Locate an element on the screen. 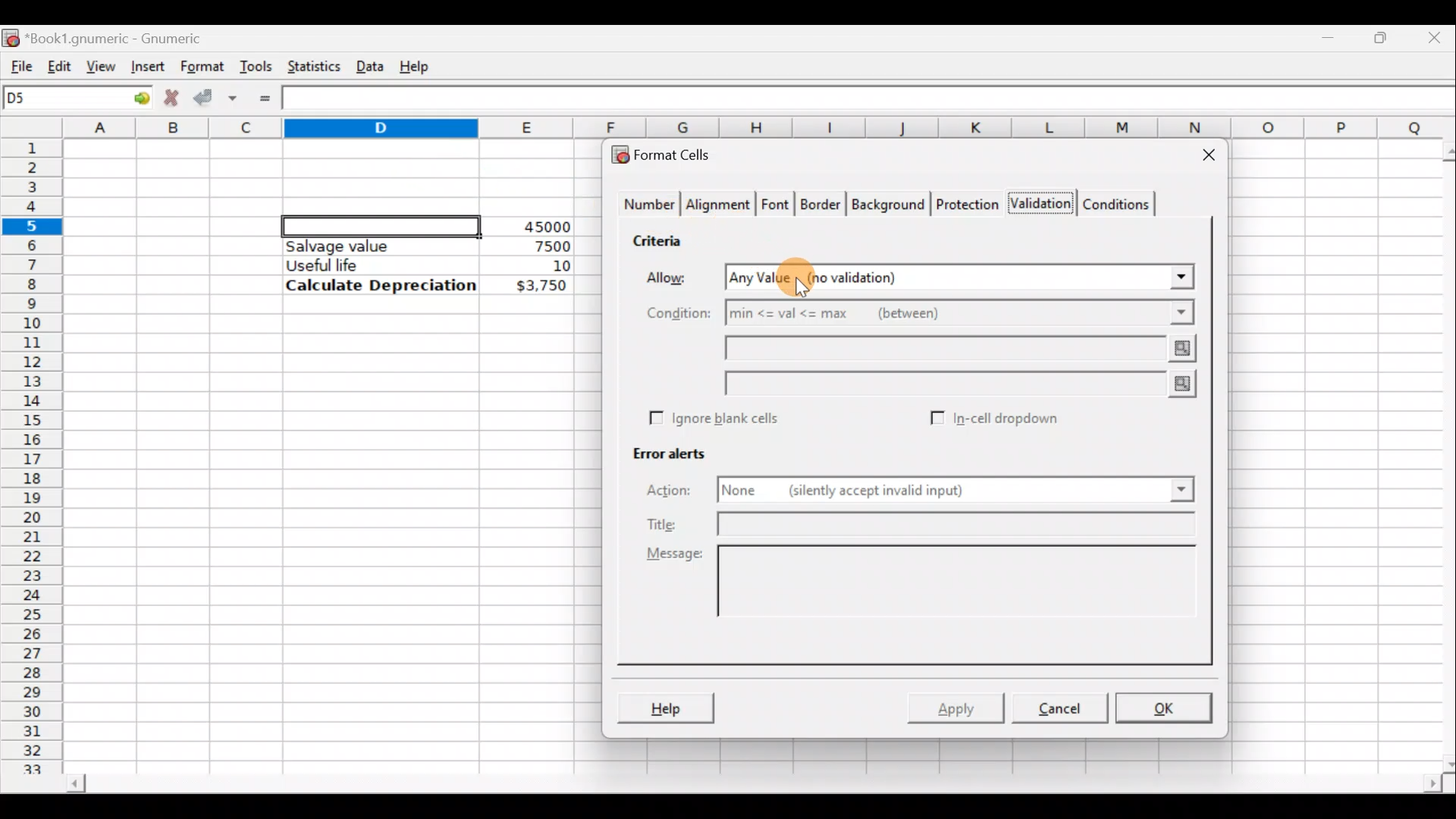  Statistics is located at coordinates (310, 65).